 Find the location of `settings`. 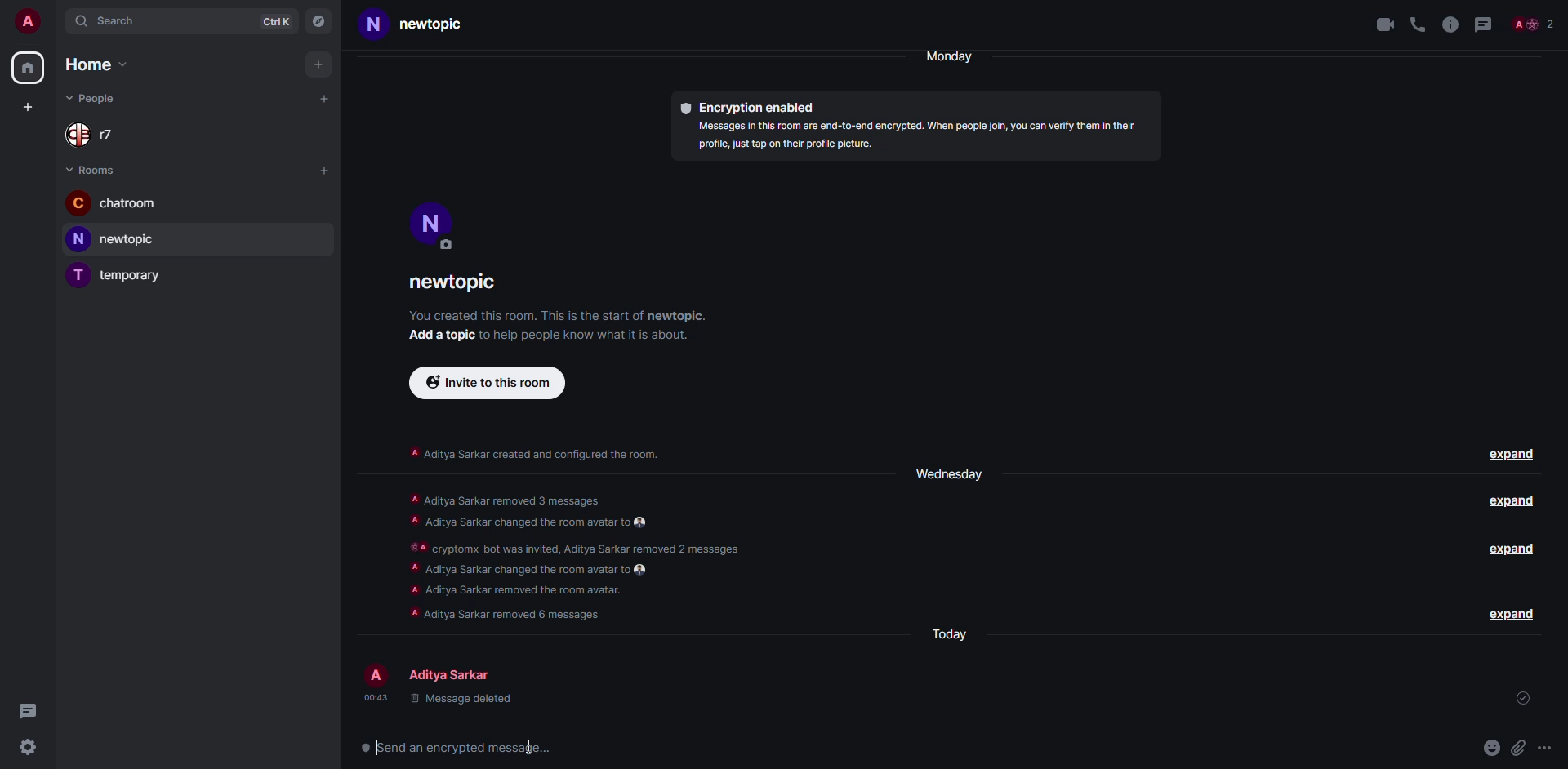

settings is located at coordinates (27, 749).